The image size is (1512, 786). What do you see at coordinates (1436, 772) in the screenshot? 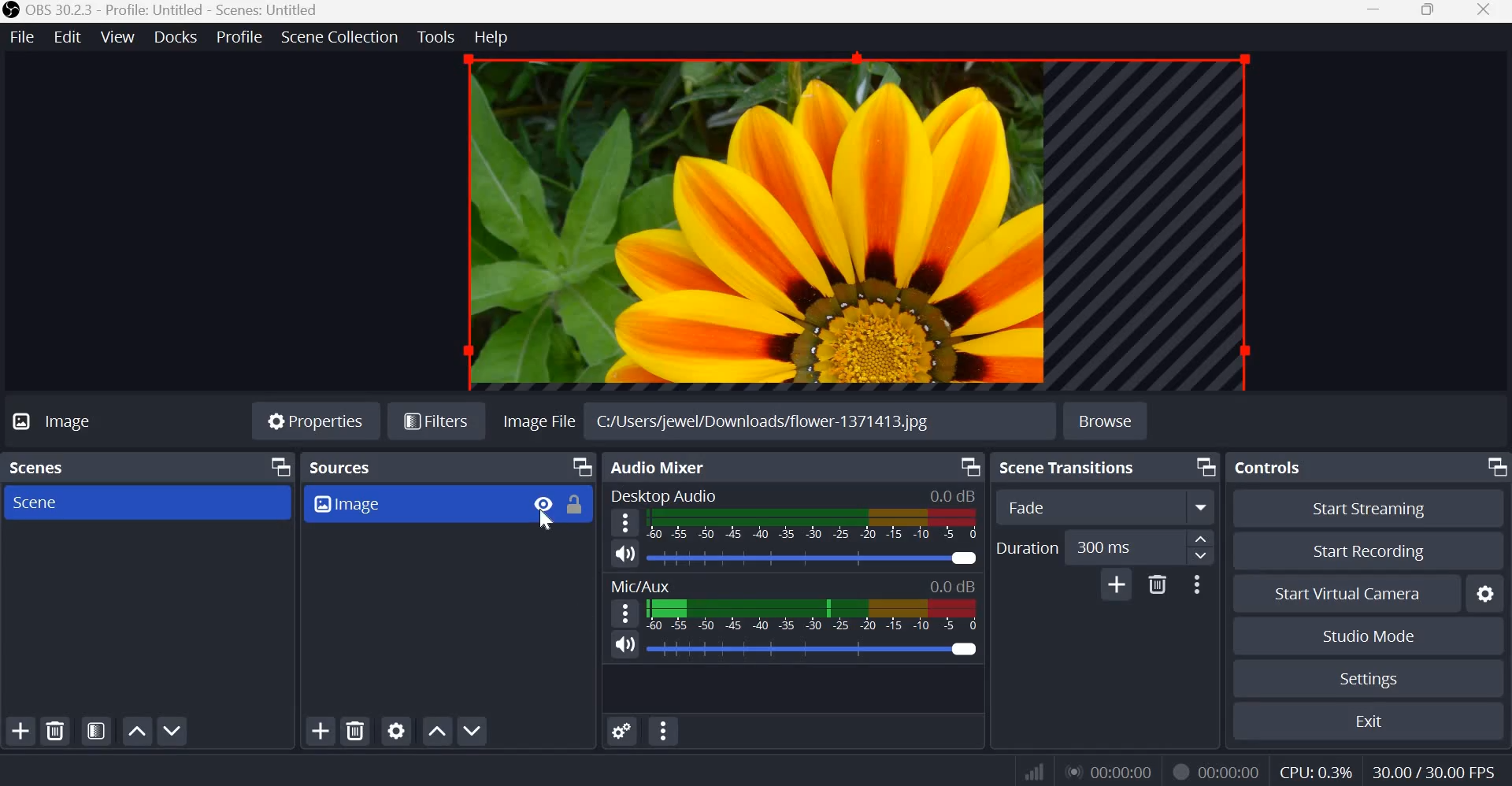
I see `Frame Rate (FPS)` at bounding box center [1436, 772].